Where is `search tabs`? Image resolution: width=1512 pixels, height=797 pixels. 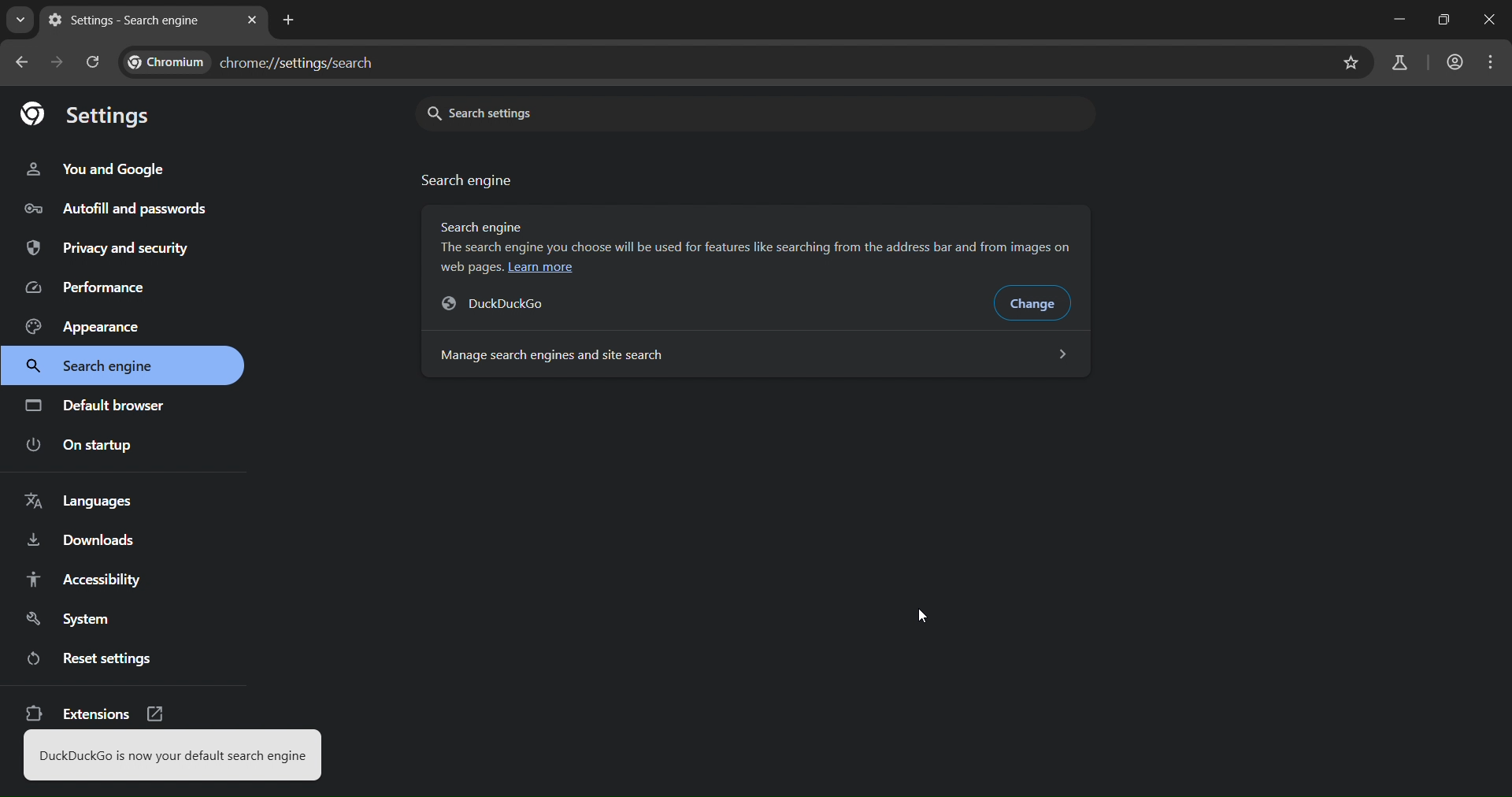 search tabs is located at coordinates (20, 23).